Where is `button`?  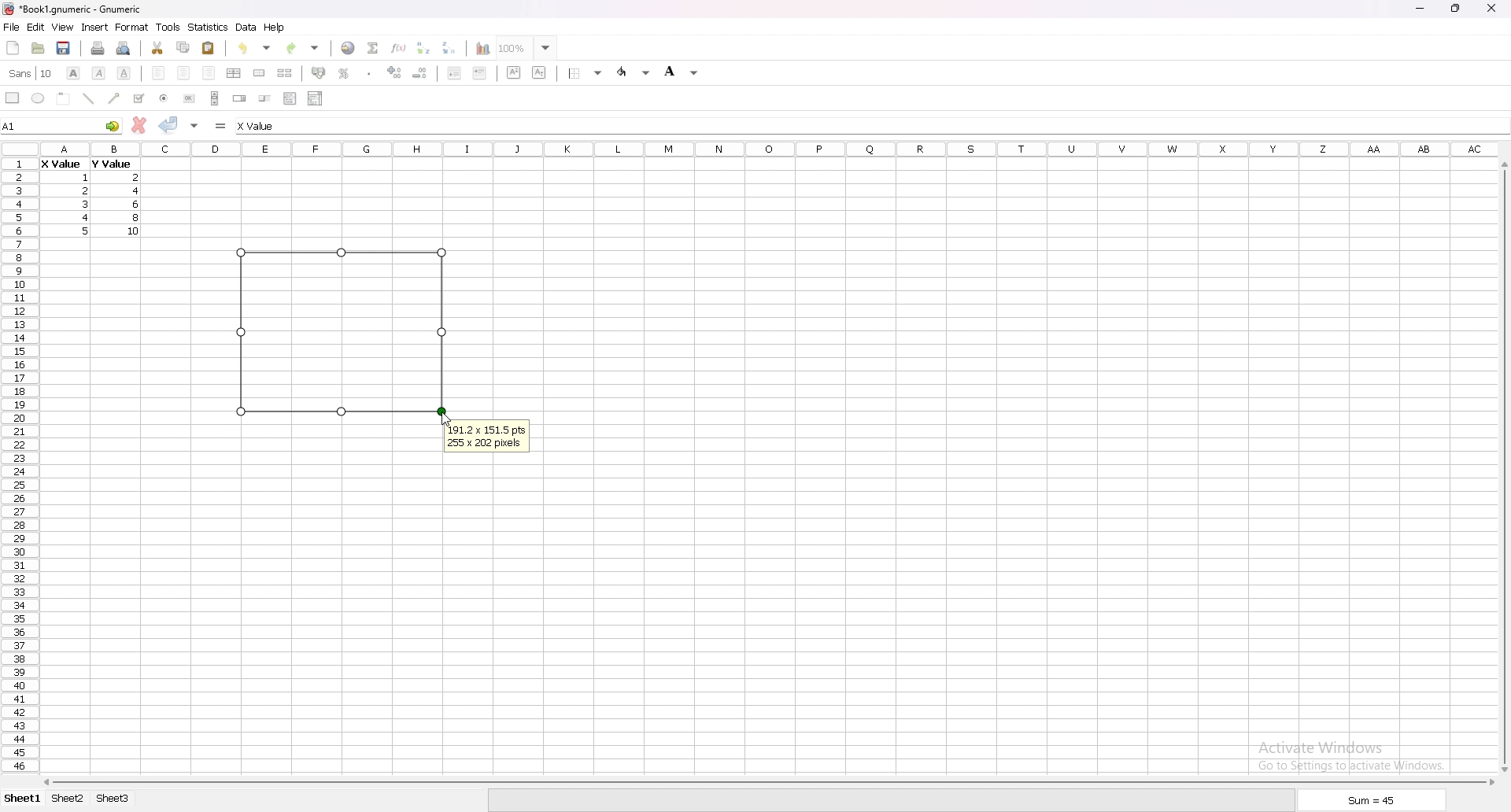
button is located at coordinates (189, 98).